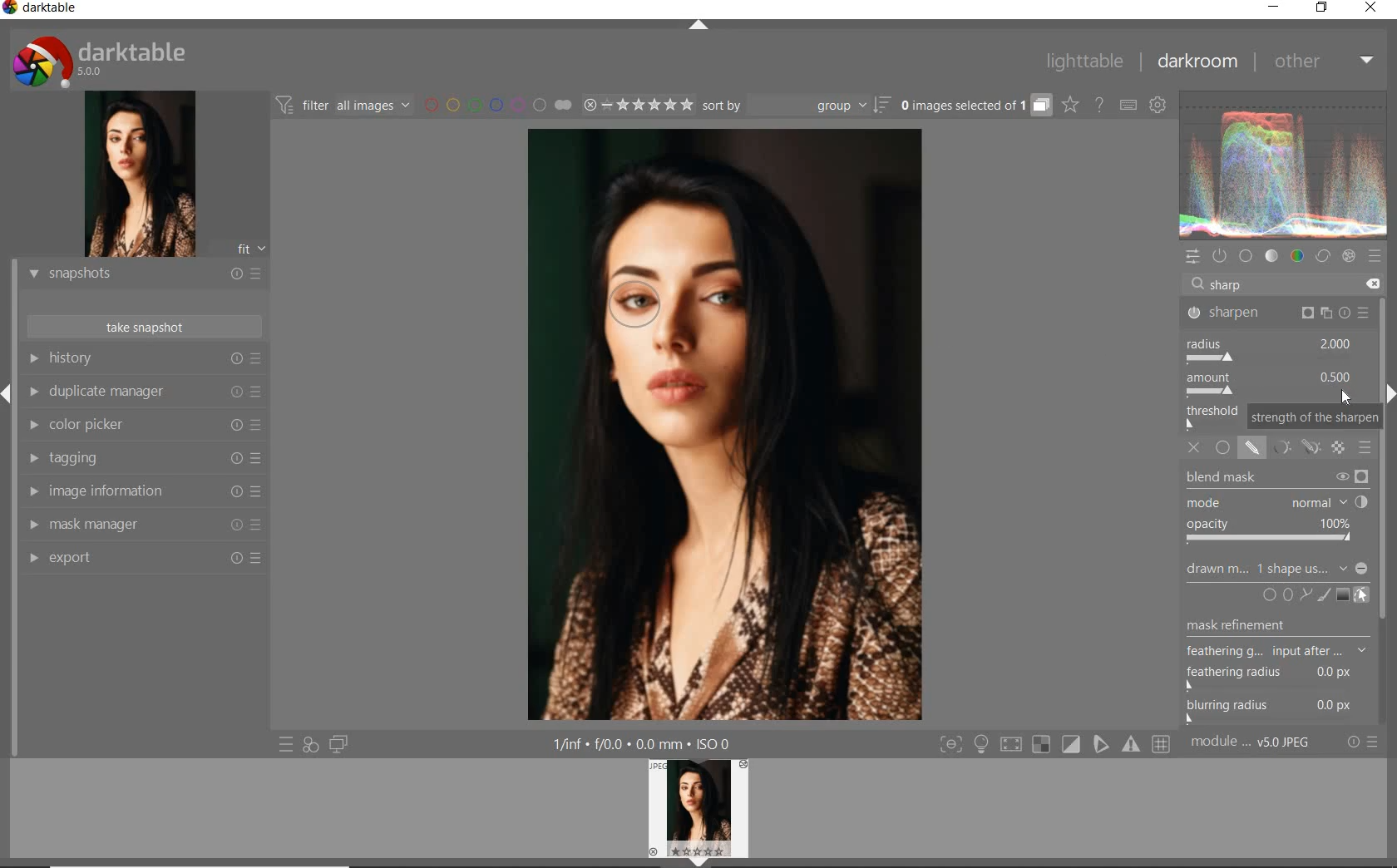 This screenshot has height=868, width=1397. What do you see at coordinates (144, 390) in the screenshot?
I see `duplicate manager` at bounding box center [144, 390].